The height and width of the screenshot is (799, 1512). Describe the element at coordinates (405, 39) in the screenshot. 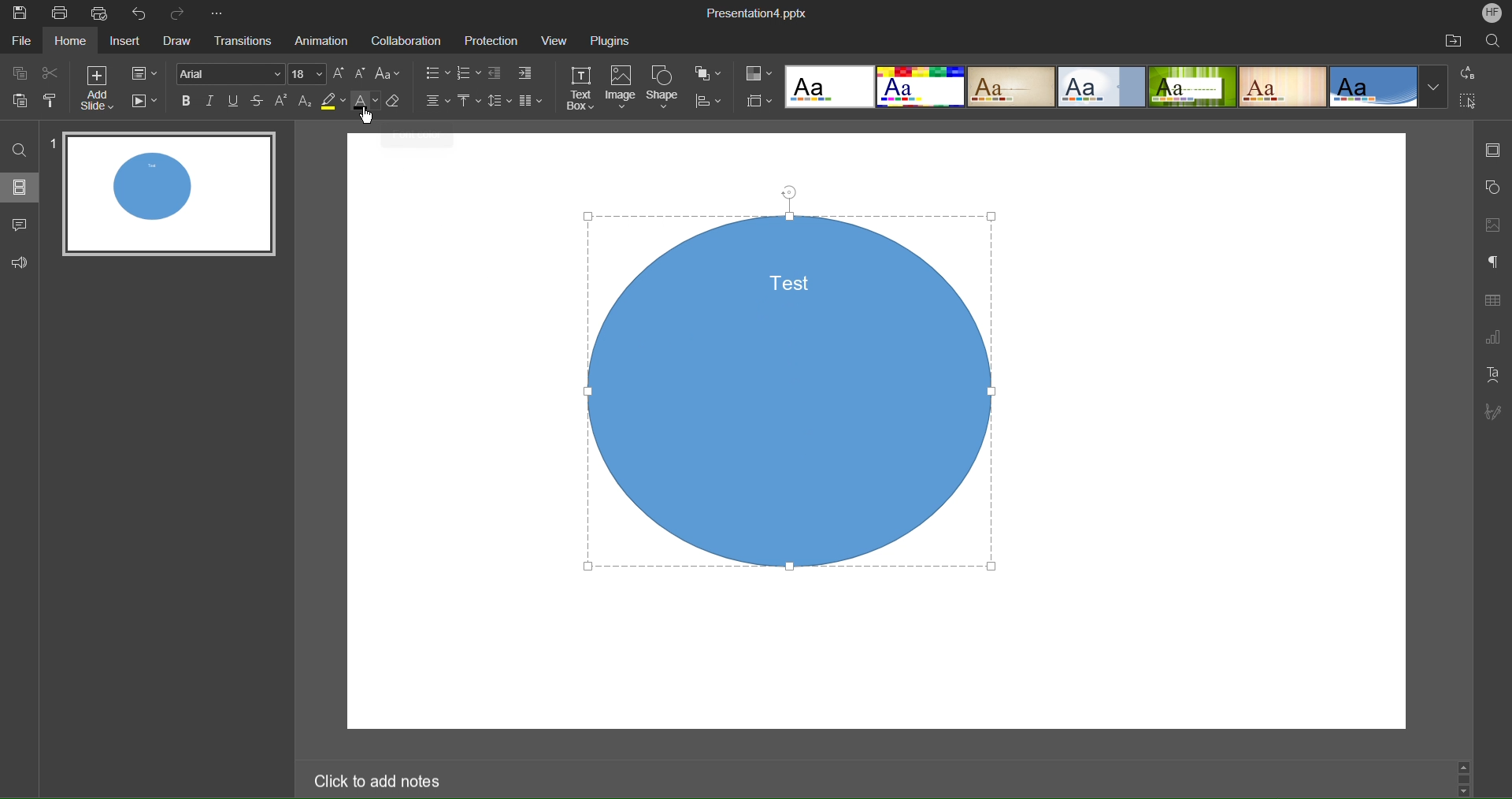

I see `Collaboration` at that location.